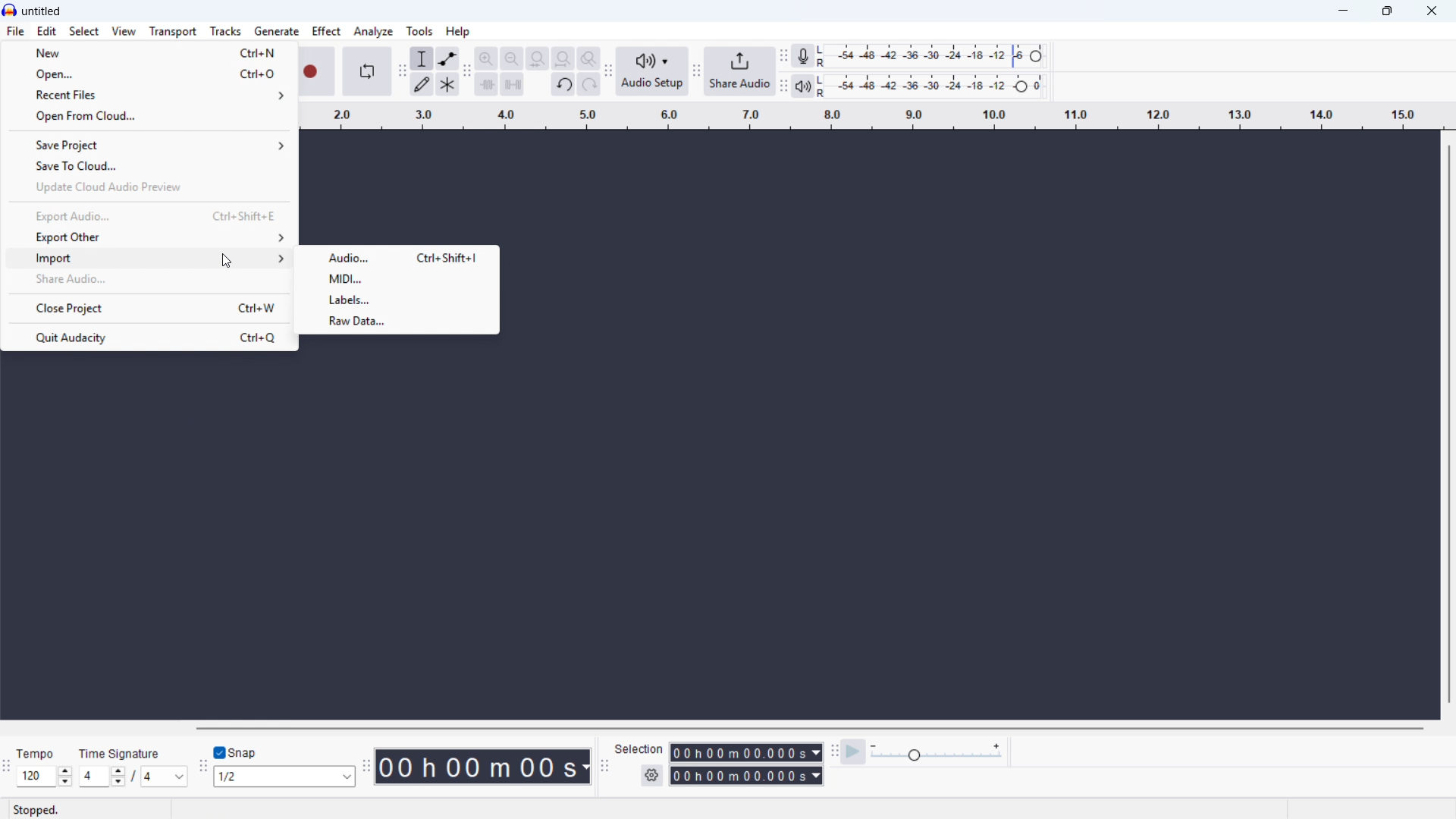 The image size is (1456, 819). I want to click on Selection tool , so click(422, 58).